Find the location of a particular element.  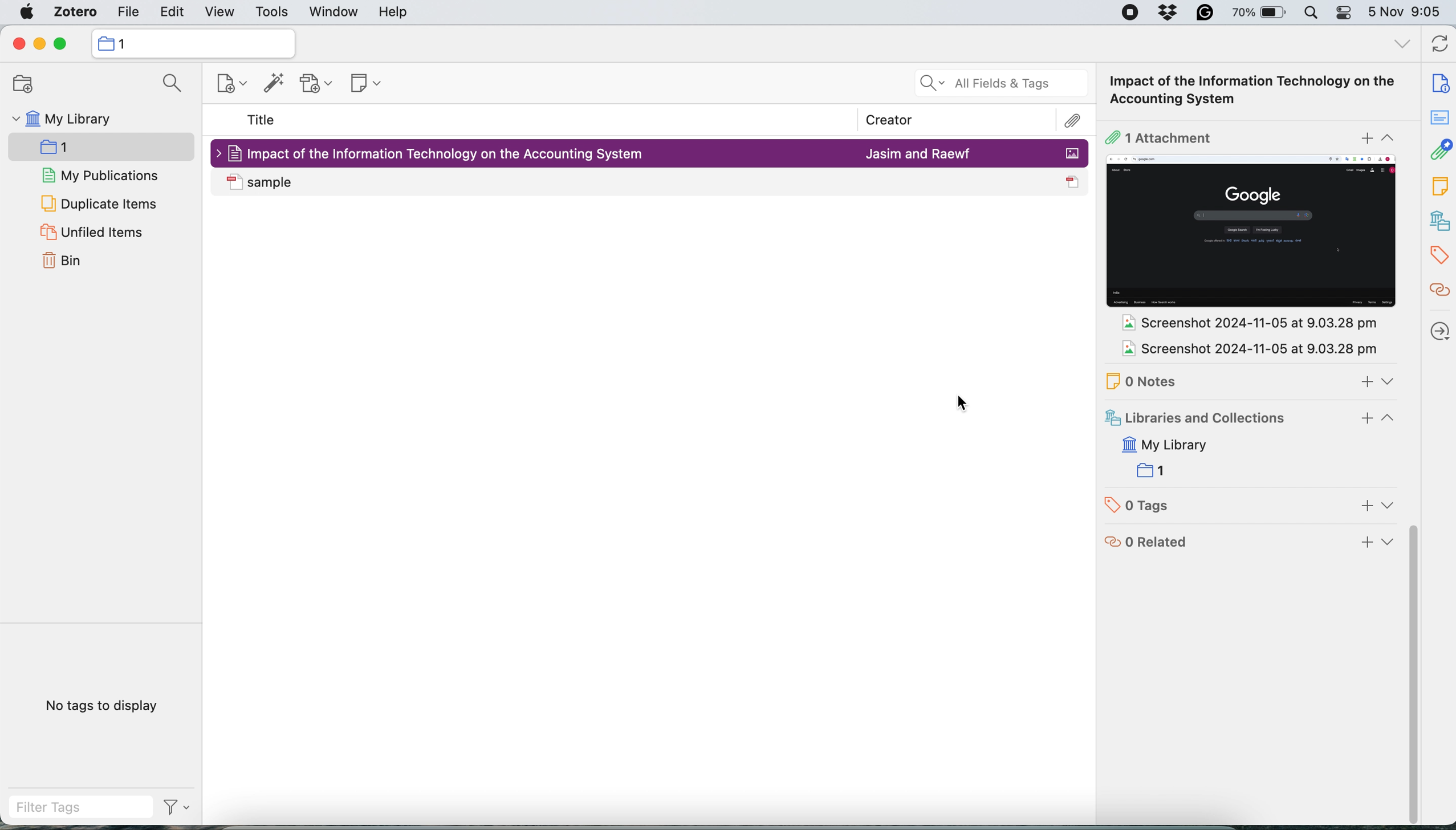

related is located at coordinates (1249, 545).